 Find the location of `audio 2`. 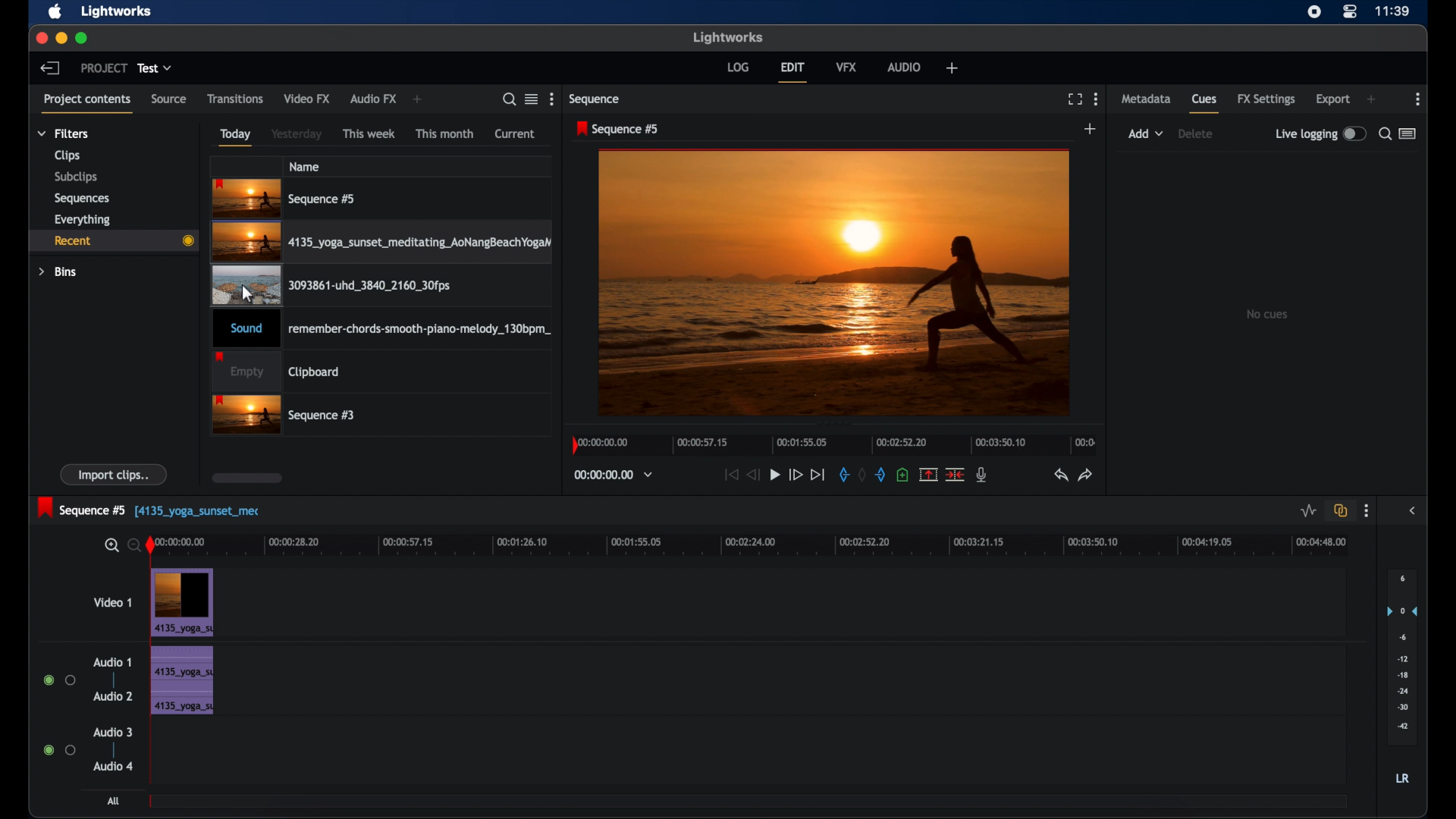

audio 2 is located at coordinates (115, 696).